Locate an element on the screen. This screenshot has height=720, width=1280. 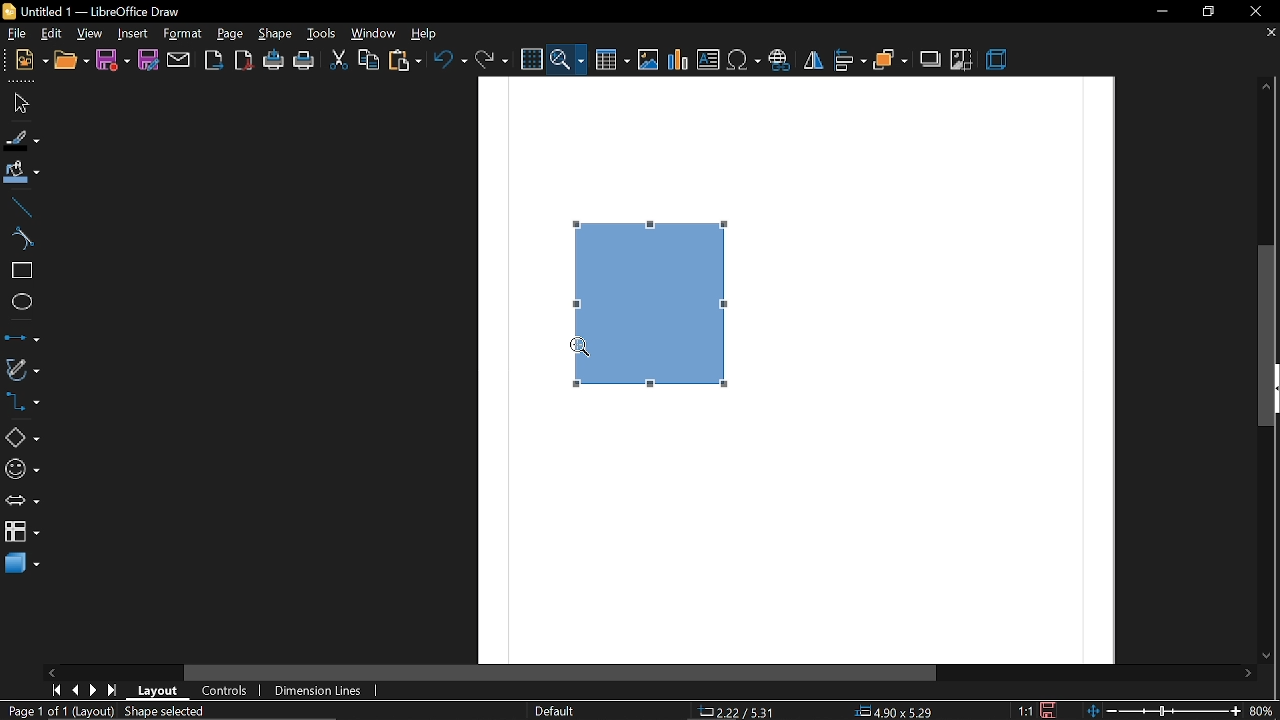
print directly is located at coordinates (274, 61).